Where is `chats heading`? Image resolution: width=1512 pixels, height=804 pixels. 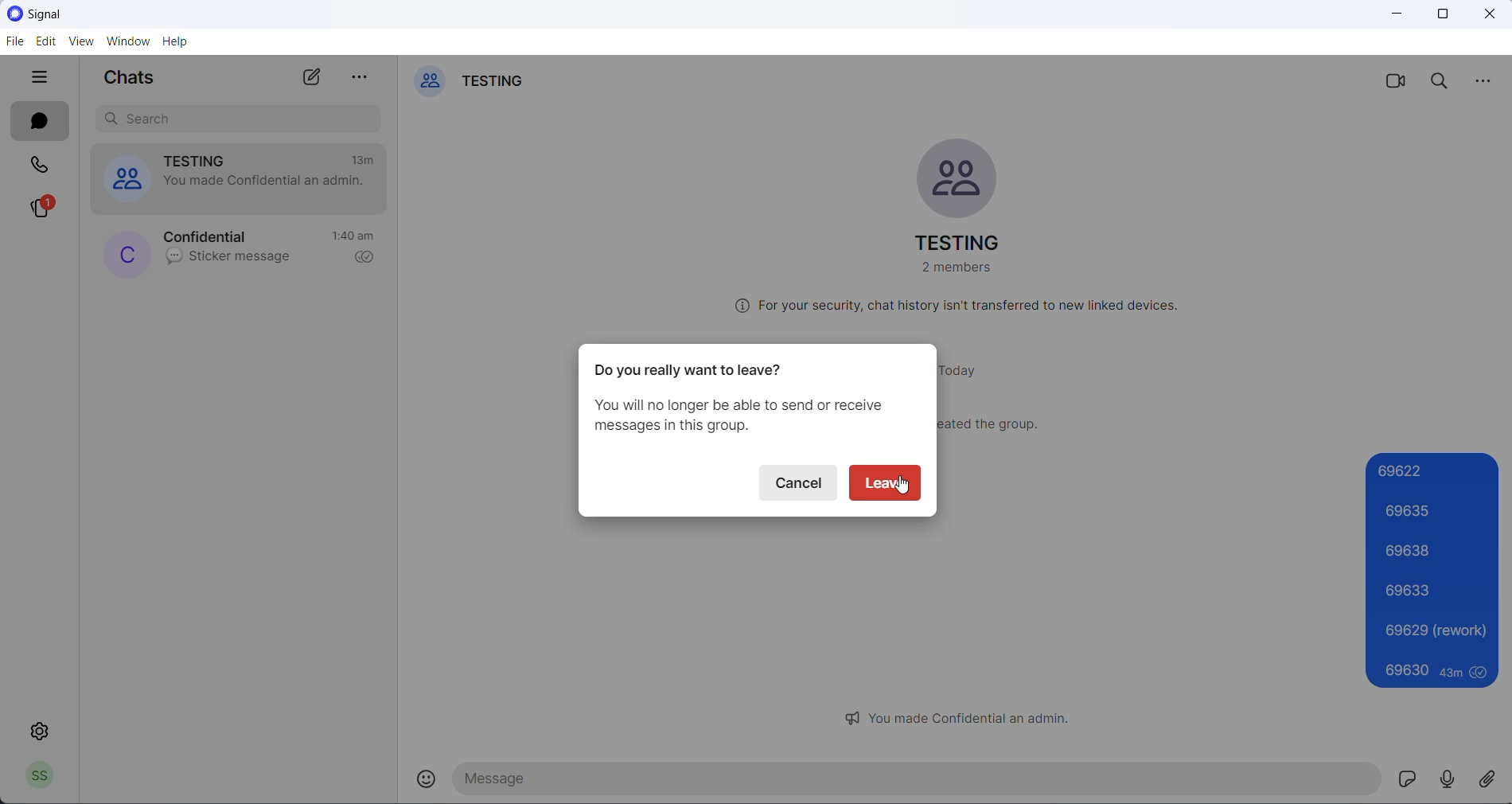 chats heading is located at coordinates (134, 80).